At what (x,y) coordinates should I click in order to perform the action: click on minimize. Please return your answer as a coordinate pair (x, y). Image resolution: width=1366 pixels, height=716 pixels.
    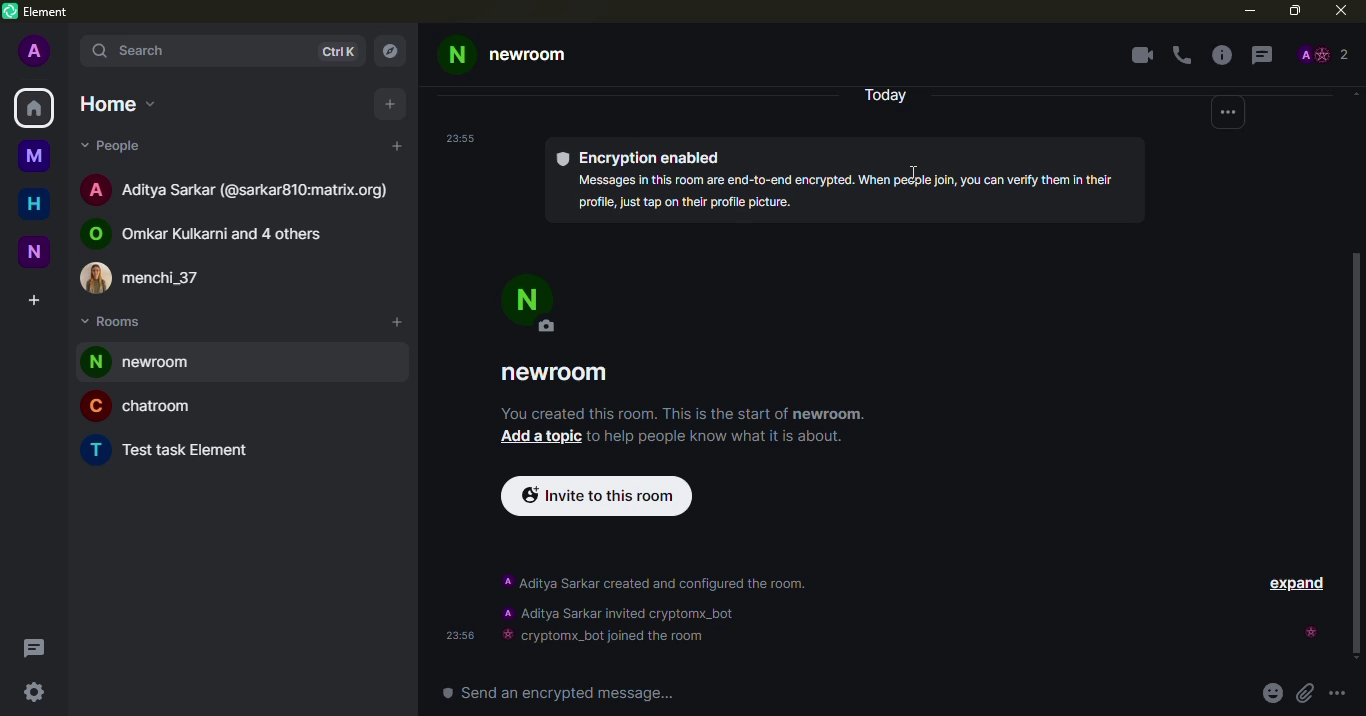
    Looking at the image, I should click on (1246, 12).